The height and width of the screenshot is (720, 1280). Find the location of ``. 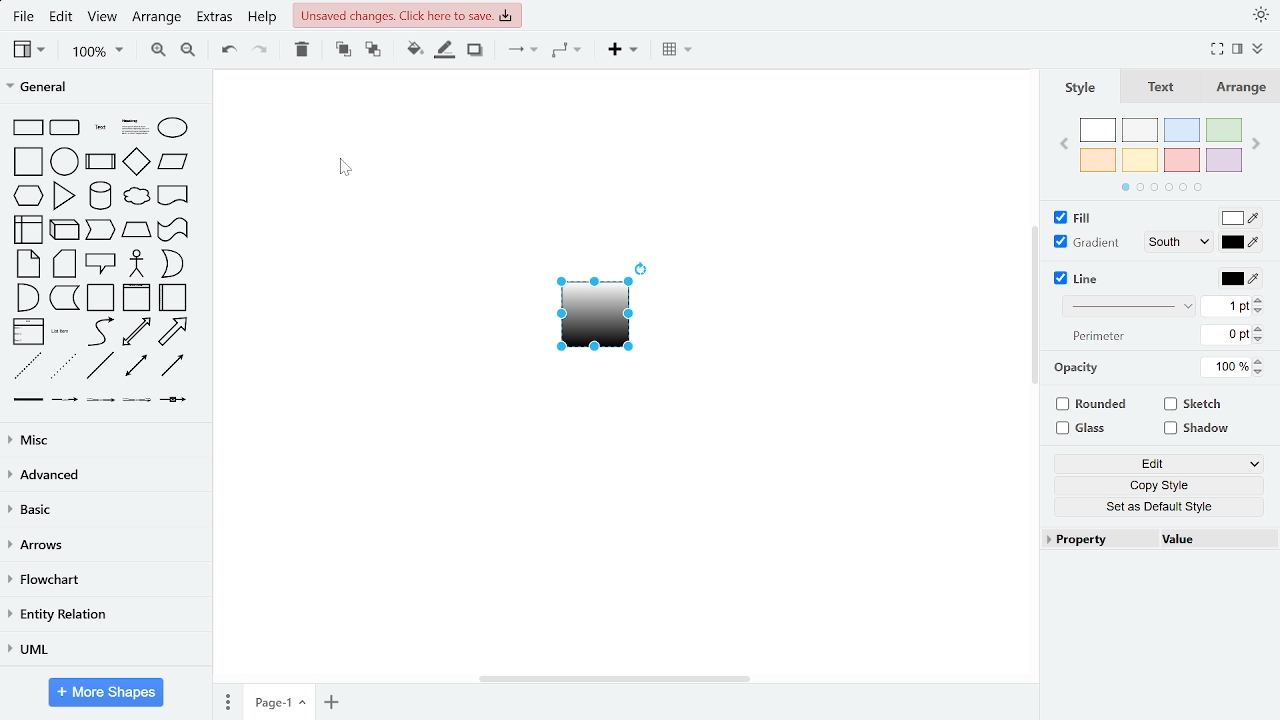

 is located at coordinates (63, 398).